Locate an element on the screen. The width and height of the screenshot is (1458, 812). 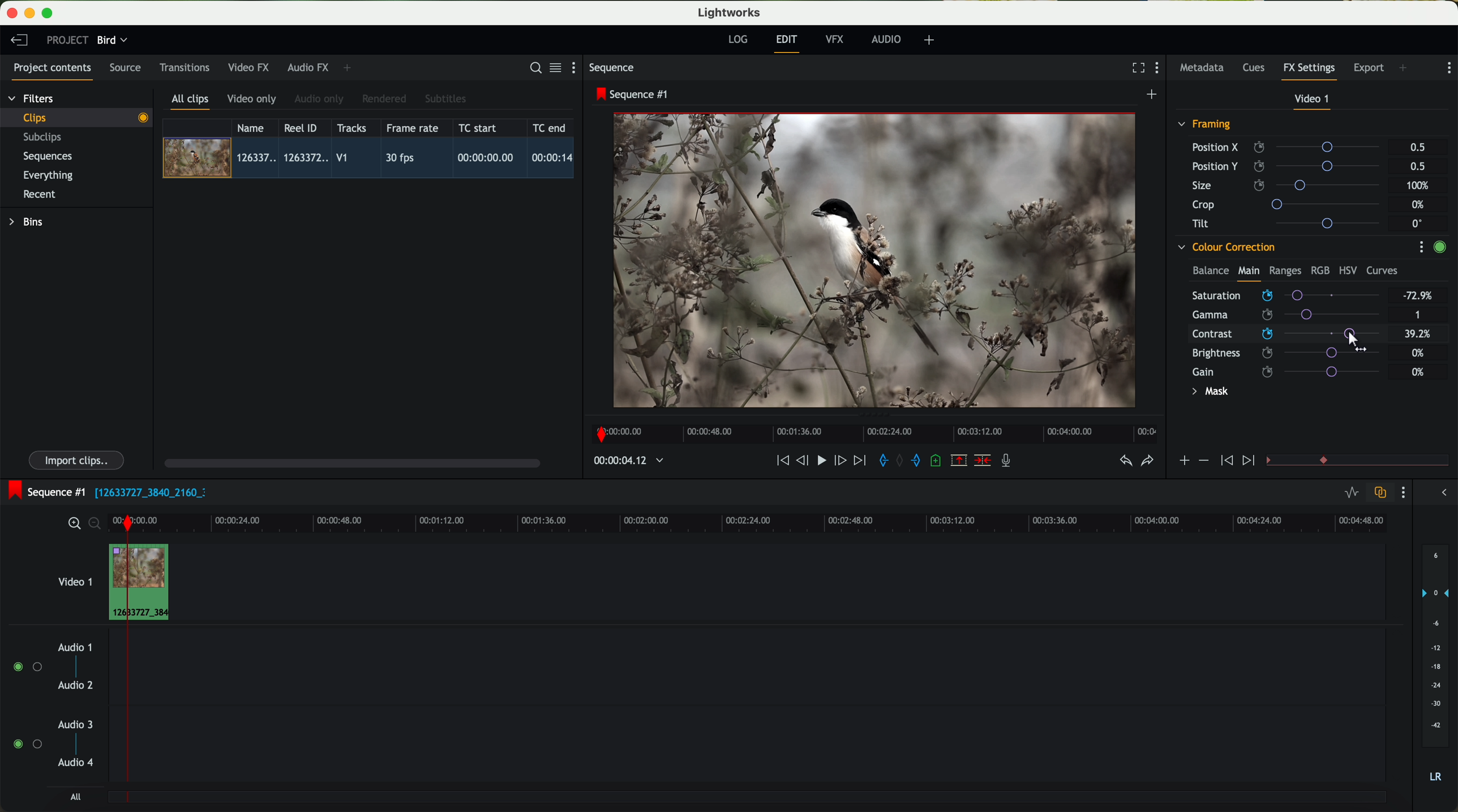
undo is located at coordinates (1125, 461).